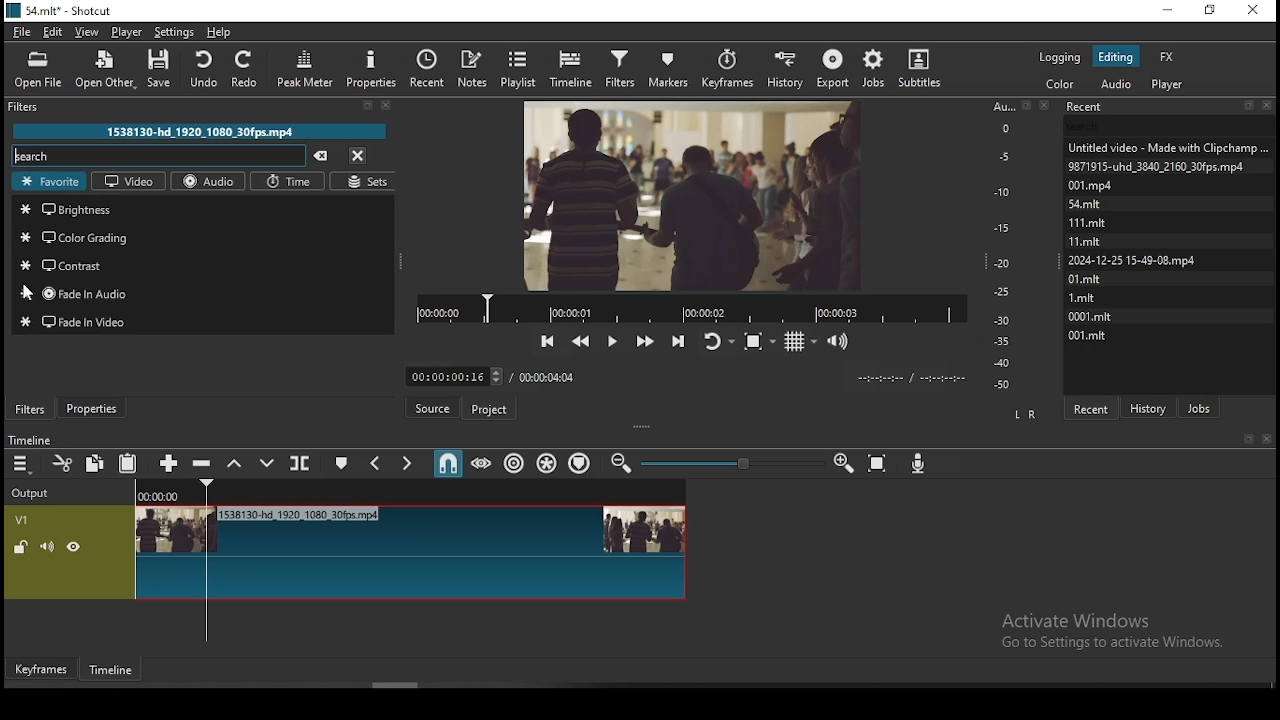 This screenshot has width=1280, height=720. I want to click on fade in video, so click(204, 321).